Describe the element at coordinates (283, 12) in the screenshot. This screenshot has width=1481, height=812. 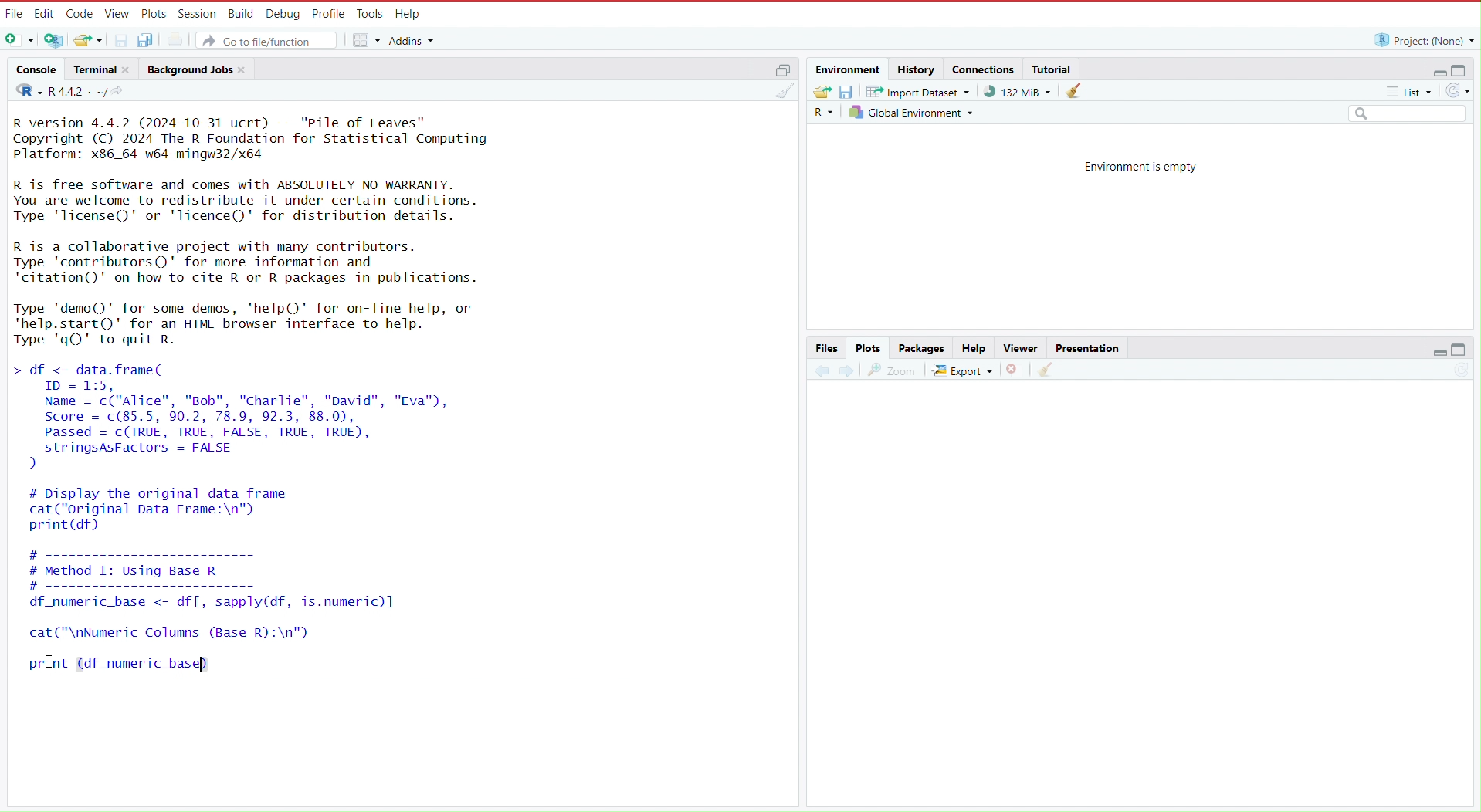
I see `Debug` at that location.